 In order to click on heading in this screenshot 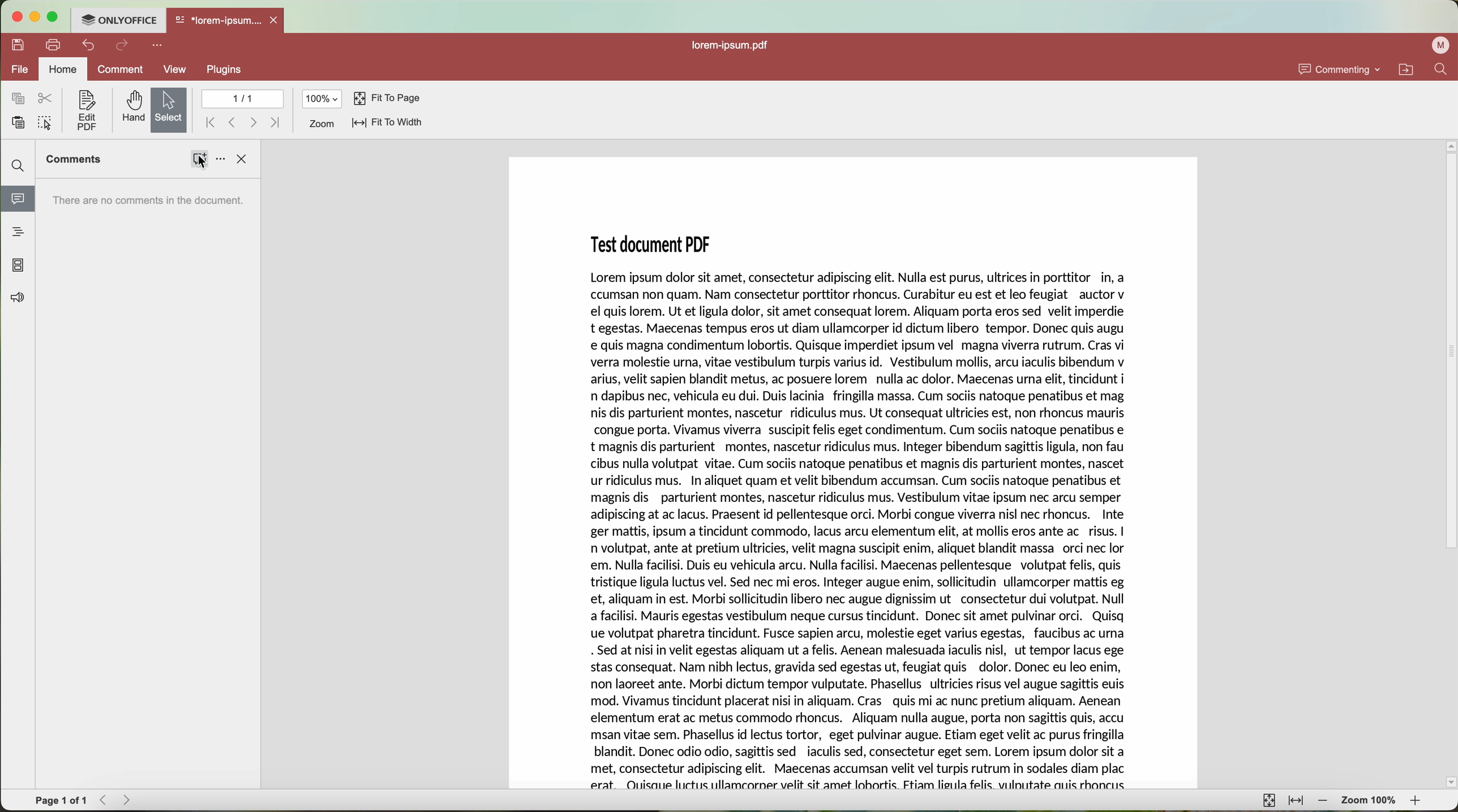, I will do `click(19, 231)`.